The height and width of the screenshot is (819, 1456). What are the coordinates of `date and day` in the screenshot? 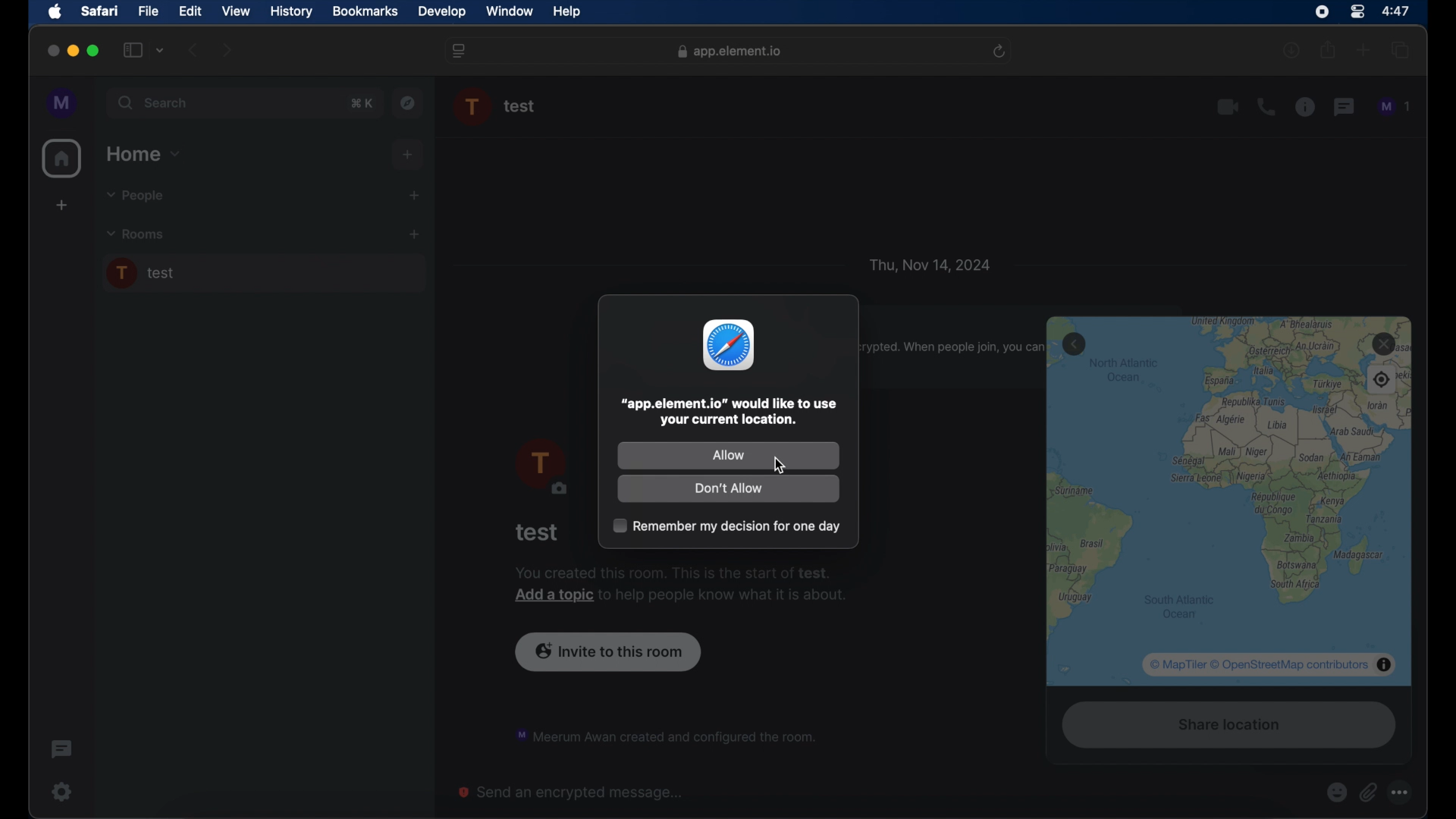 It's located at (930, 264).